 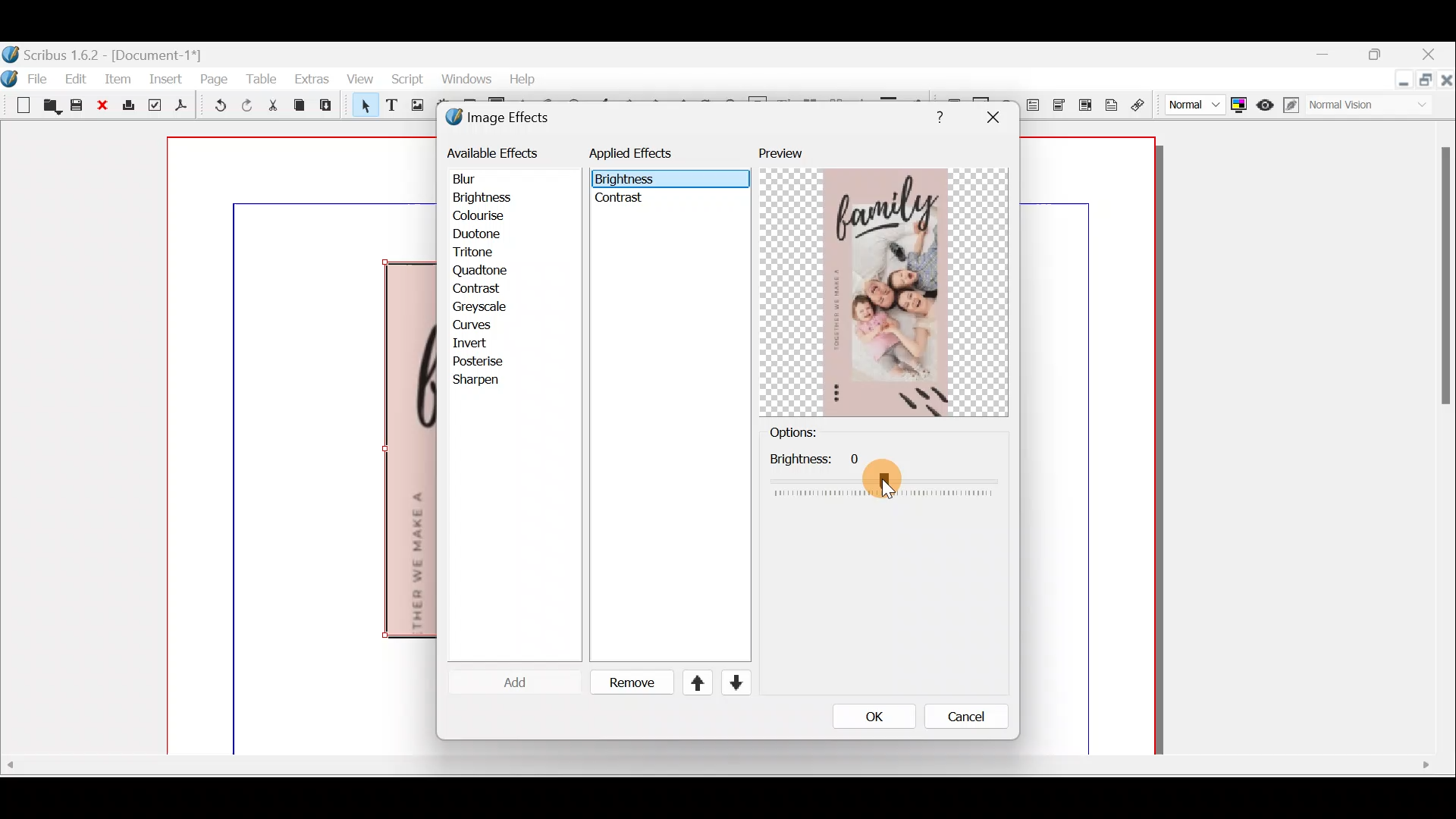 What do you see at coordinates (483, 326) in the screenshot?
I see `Curves` at bounding box center [483, 326].